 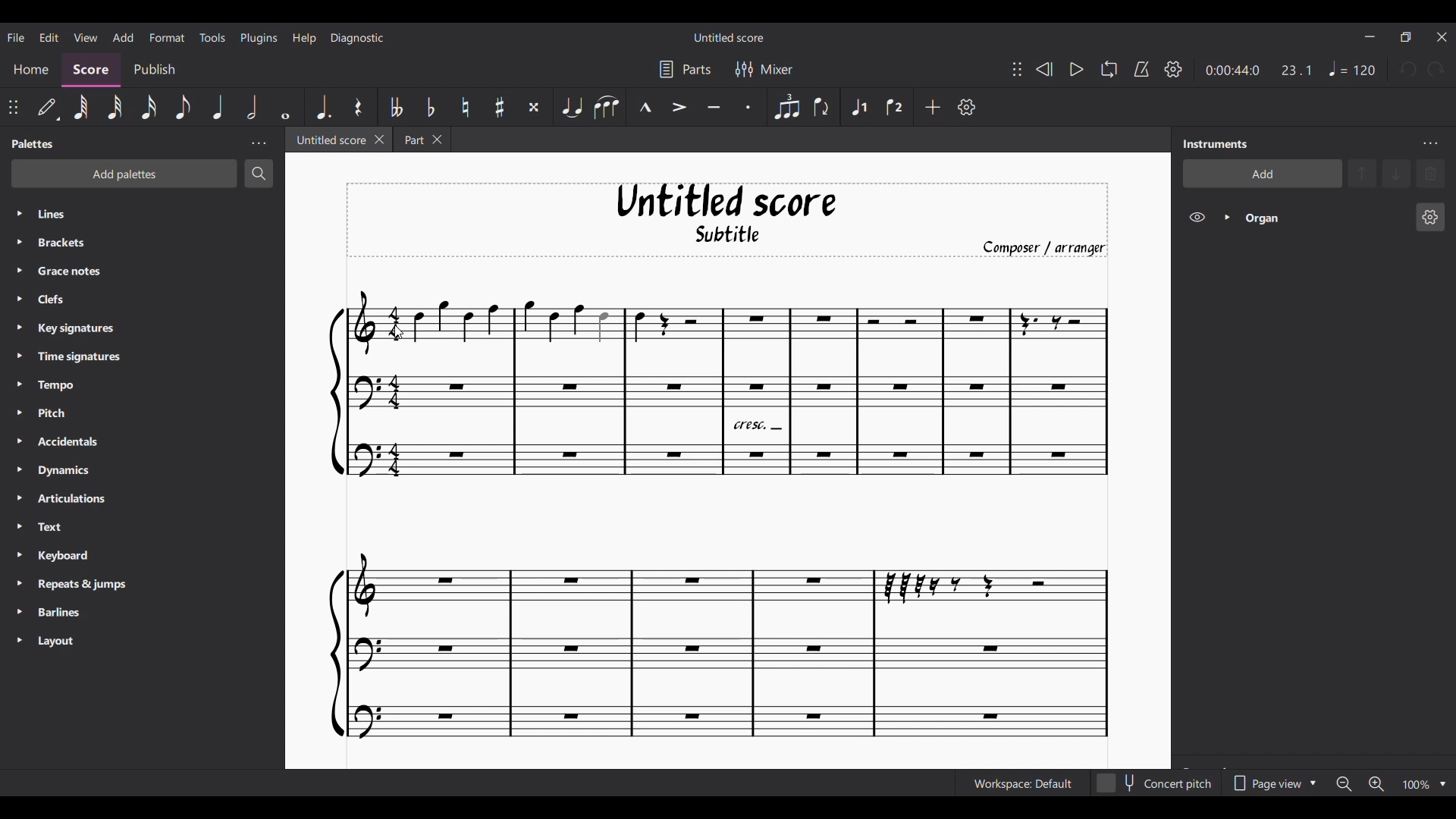 I want to click on Half note, so click(x=252, y=107).